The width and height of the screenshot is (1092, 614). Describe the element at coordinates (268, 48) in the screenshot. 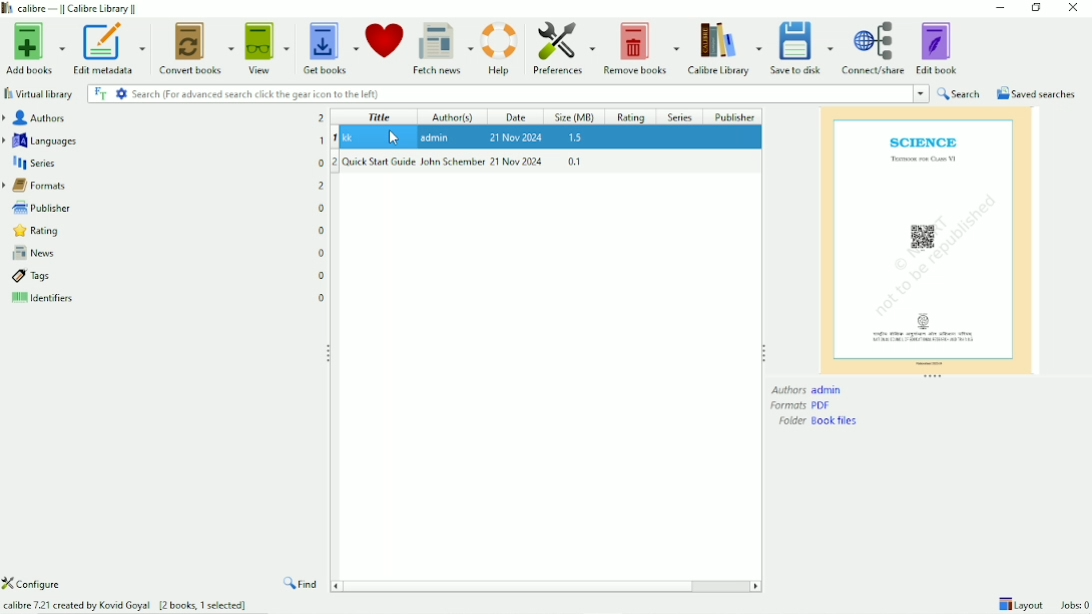

I see `View` at that location.